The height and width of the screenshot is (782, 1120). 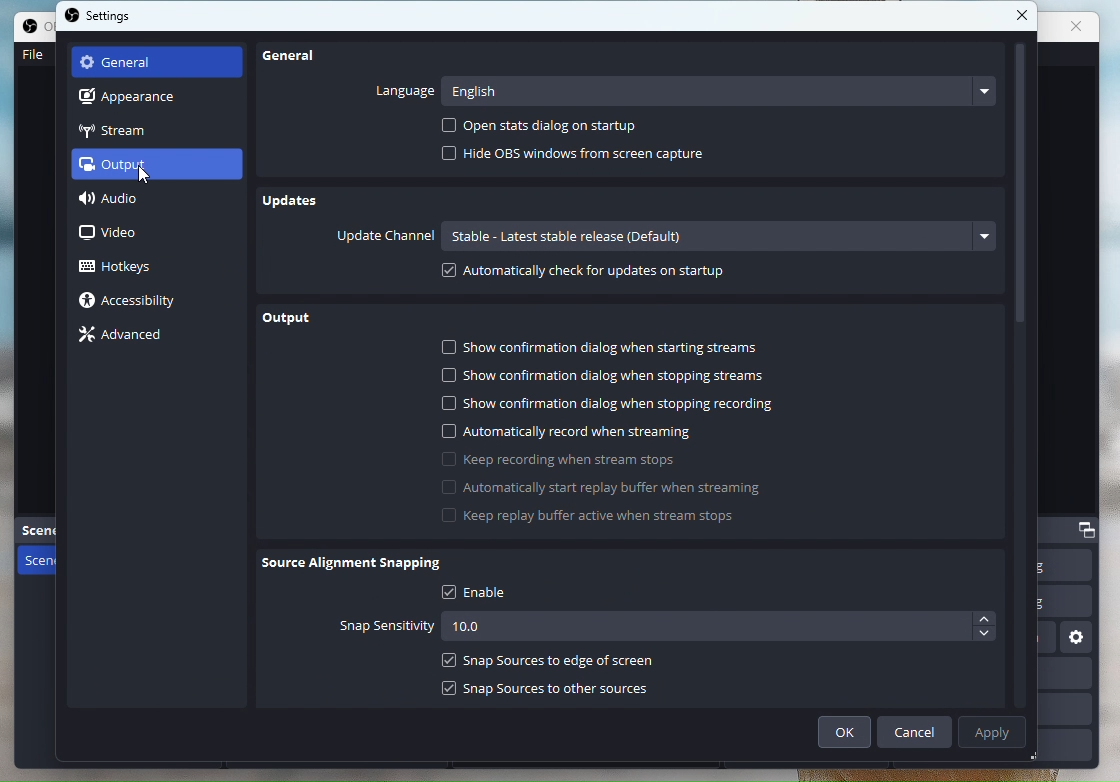 I want to click on Apply, so click(x=994, y=731).